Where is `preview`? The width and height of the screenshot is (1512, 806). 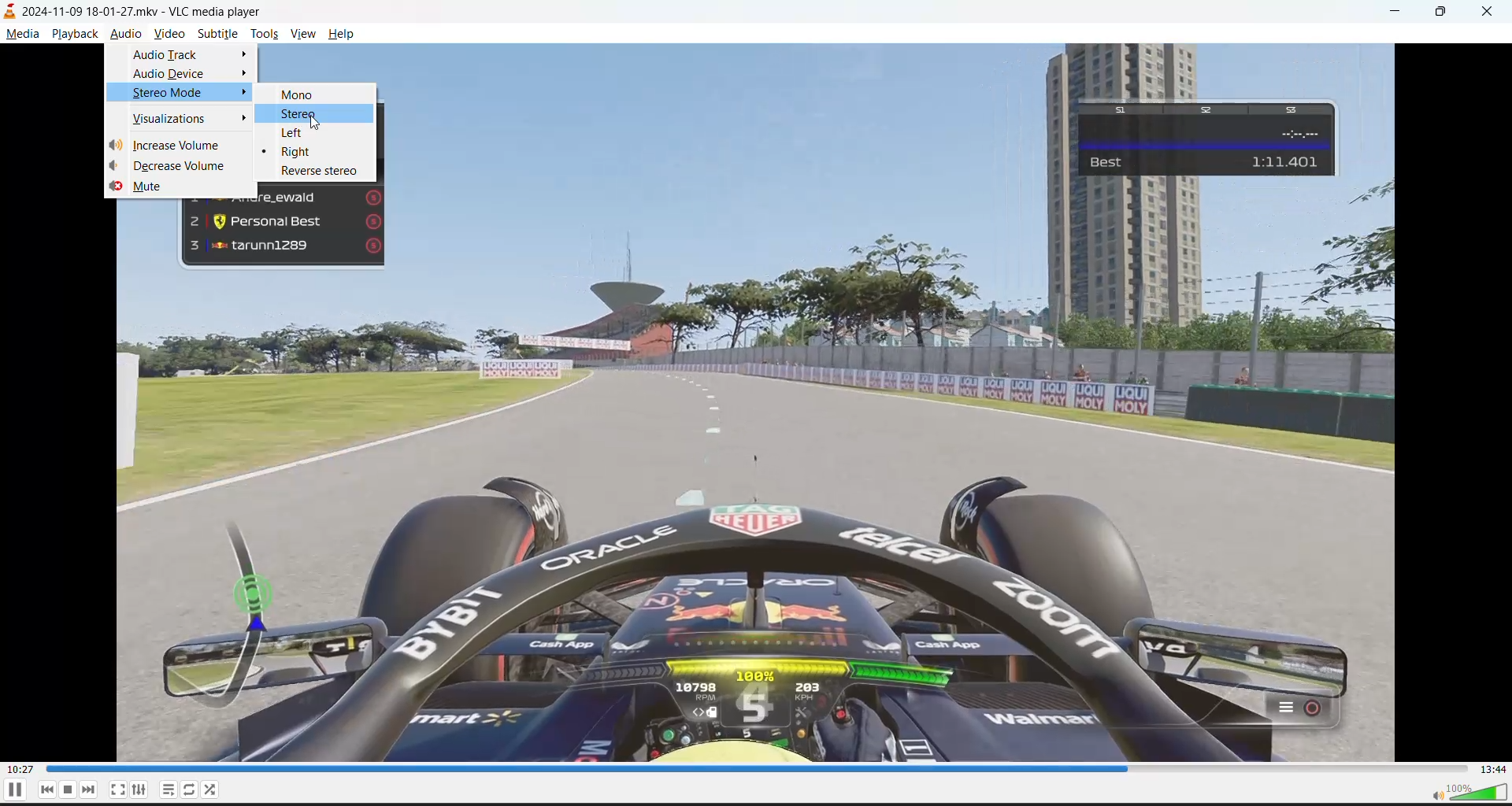
preview is located at coordinates (726, 191).